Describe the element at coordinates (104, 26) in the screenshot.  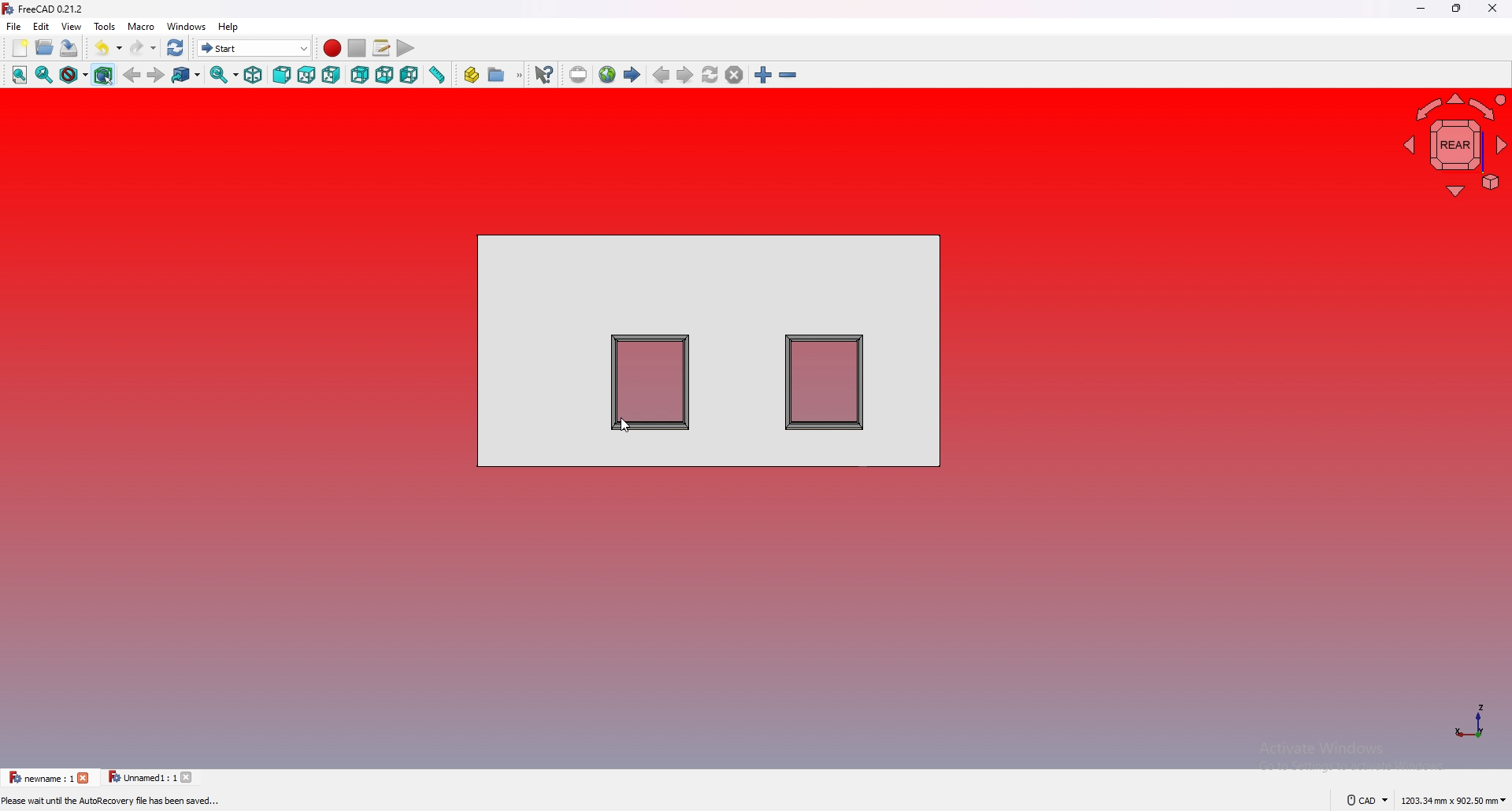
I see `tools` at that location.